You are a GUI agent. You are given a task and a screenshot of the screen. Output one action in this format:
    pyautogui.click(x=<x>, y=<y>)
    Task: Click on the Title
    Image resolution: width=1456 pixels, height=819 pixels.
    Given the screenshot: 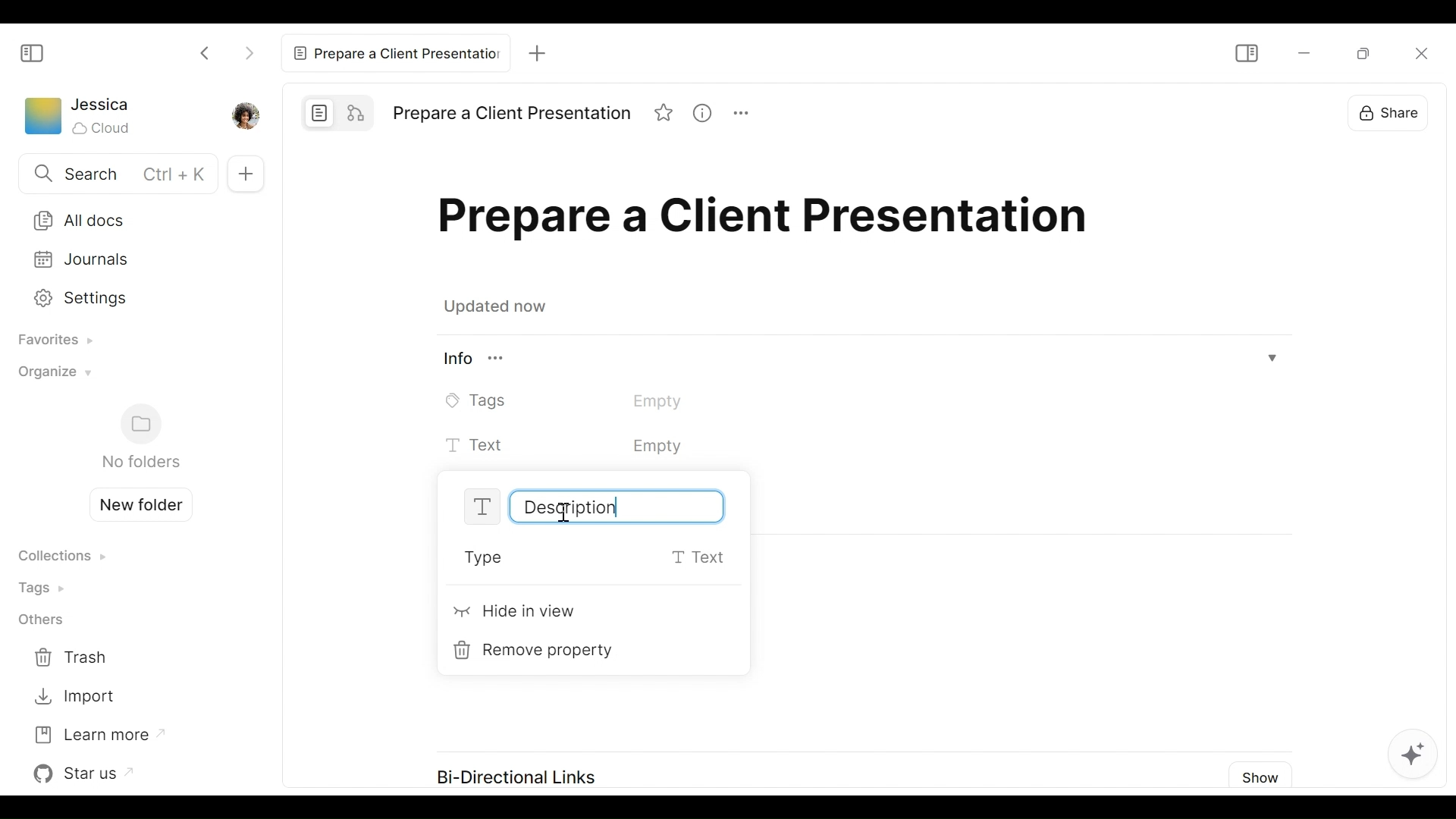 What is the action you would take?
    pyautogui.click(x=511, y=114)
    